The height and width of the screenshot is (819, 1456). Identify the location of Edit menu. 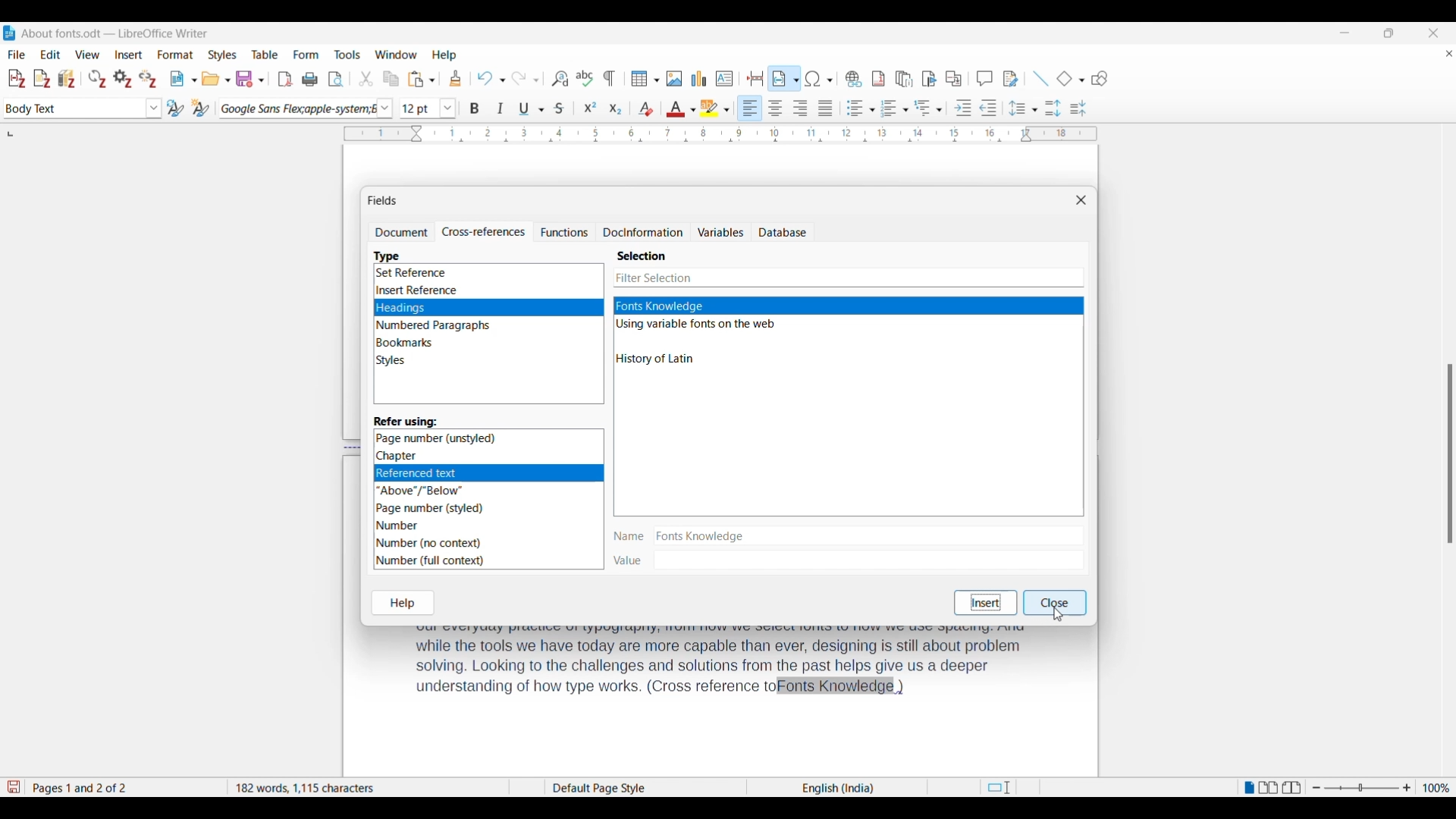
(50, 54).